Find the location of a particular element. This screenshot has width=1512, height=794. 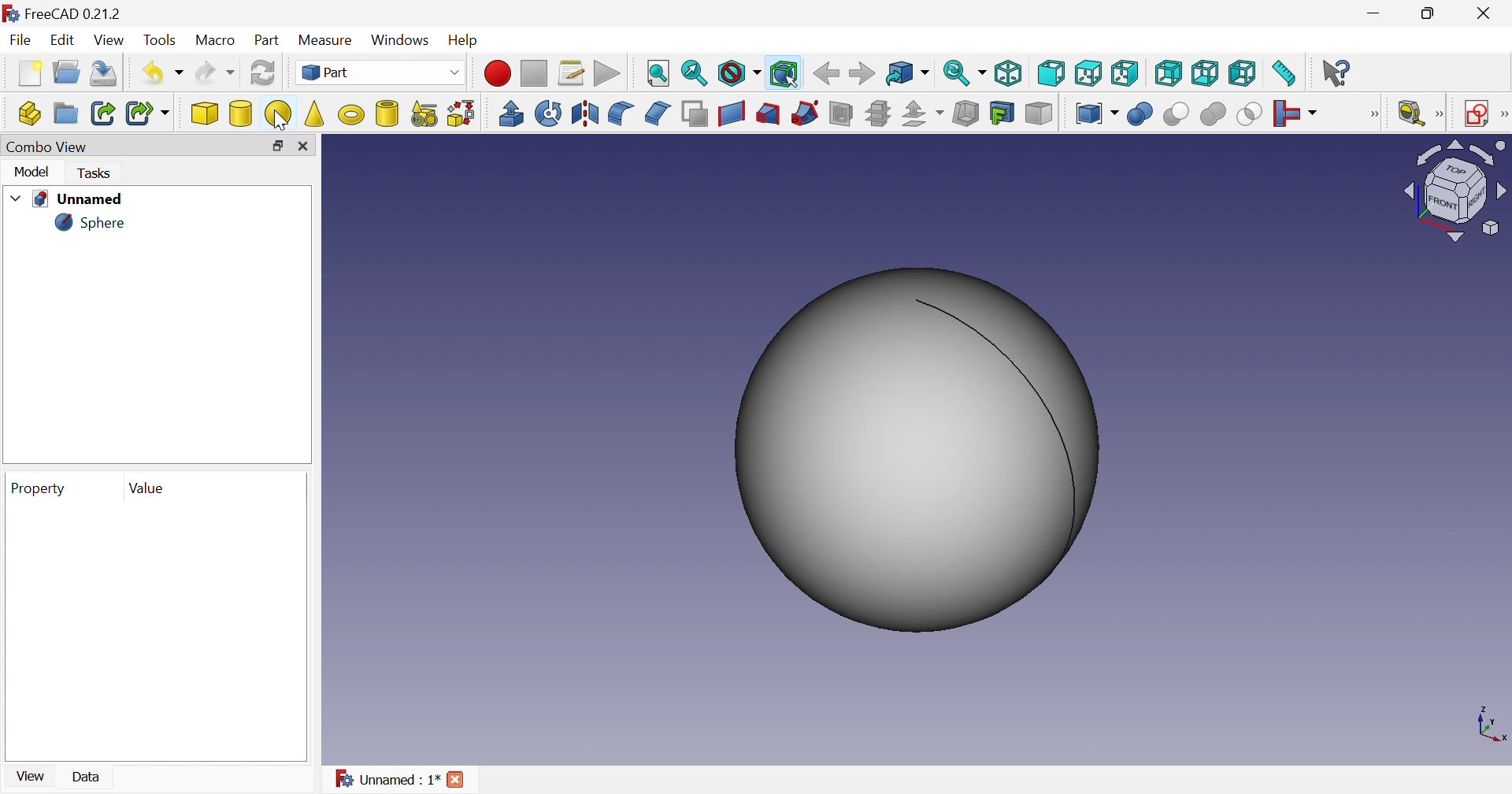

[Boolean] is located at coordinates (1373, 114).